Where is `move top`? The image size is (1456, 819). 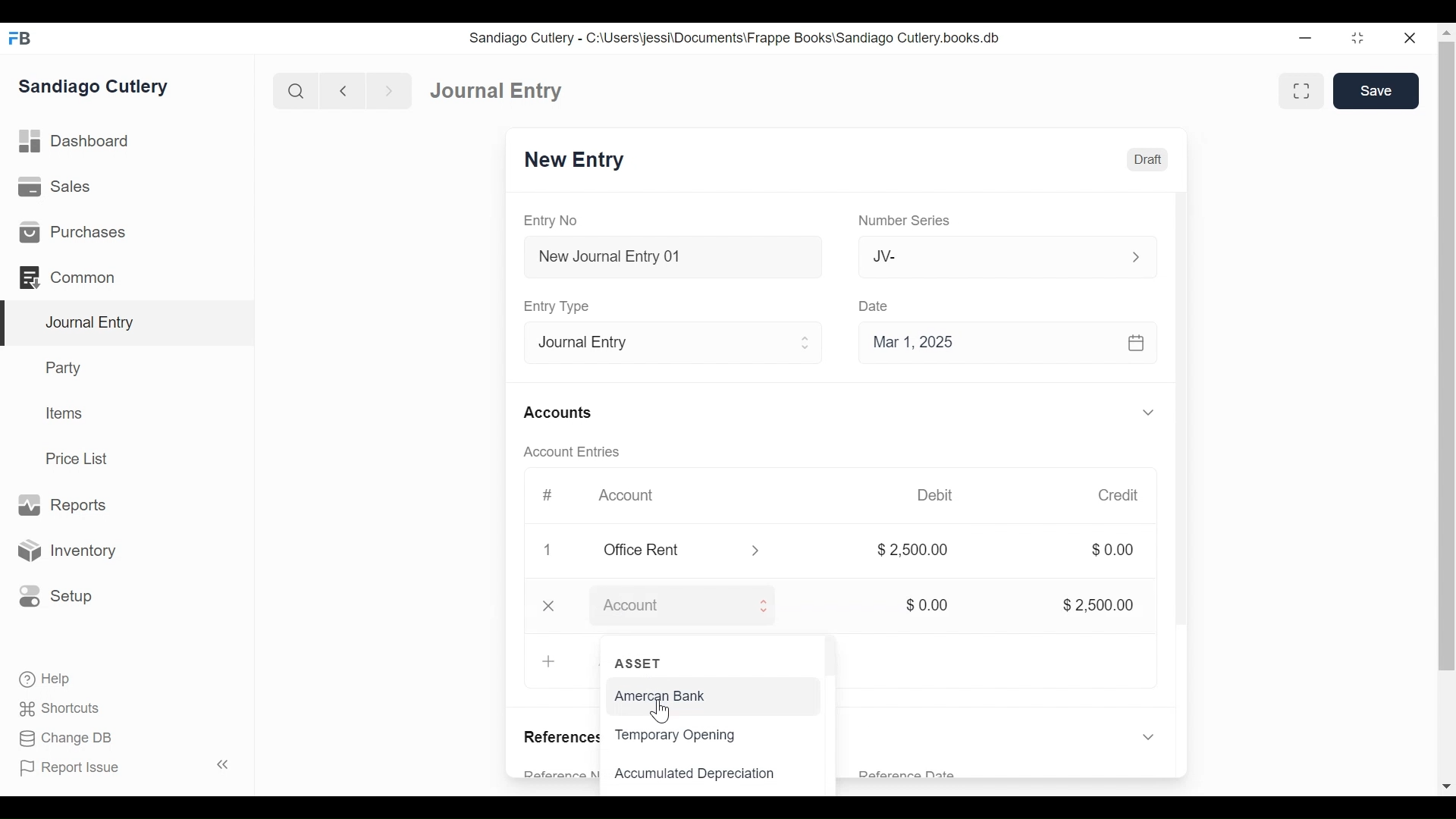
move top is located at coordinates (1446, 30).